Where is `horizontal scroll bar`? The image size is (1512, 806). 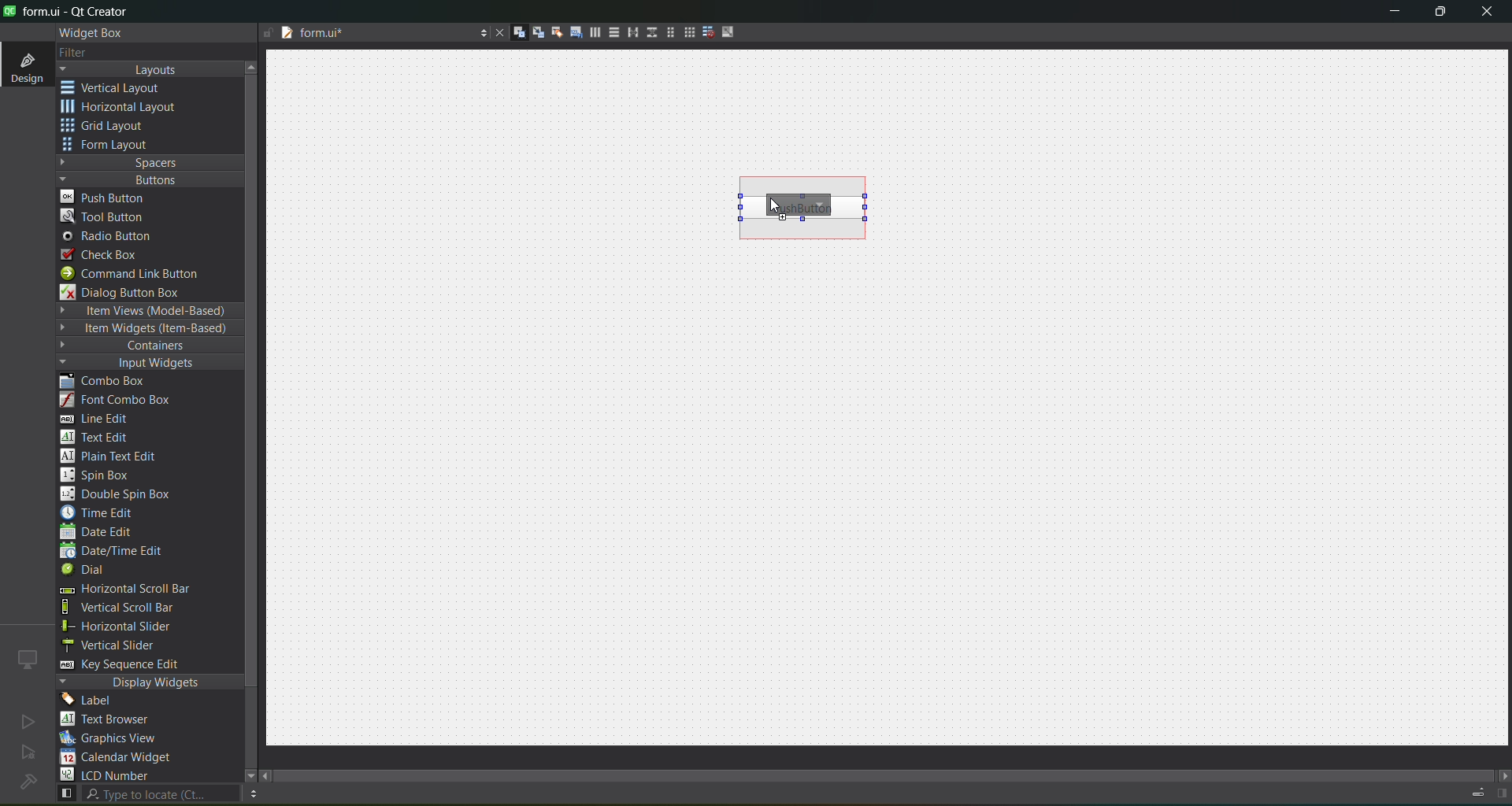
horizontal scroll bar is located at coordinates (124, 590).